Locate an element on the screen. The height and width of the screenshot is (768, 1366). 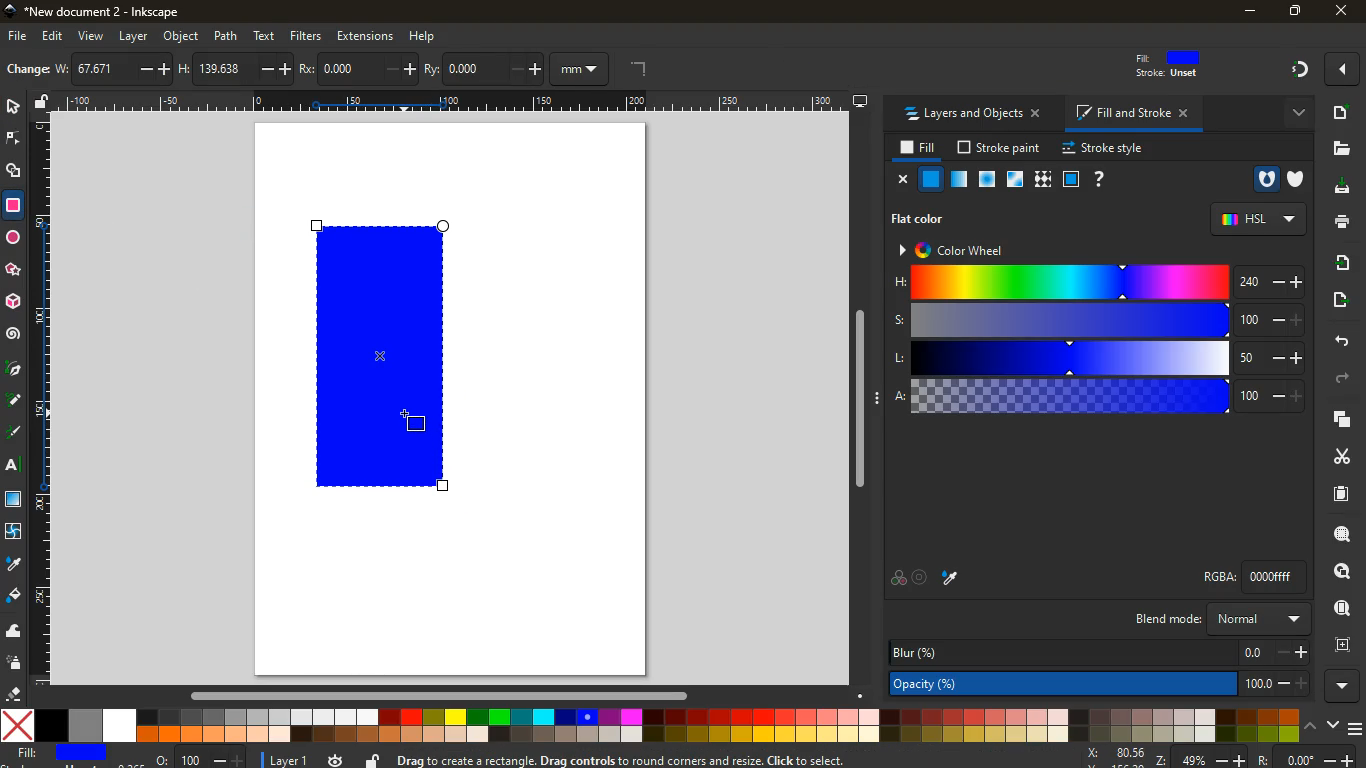
aim is located at coordinates (920, 576).